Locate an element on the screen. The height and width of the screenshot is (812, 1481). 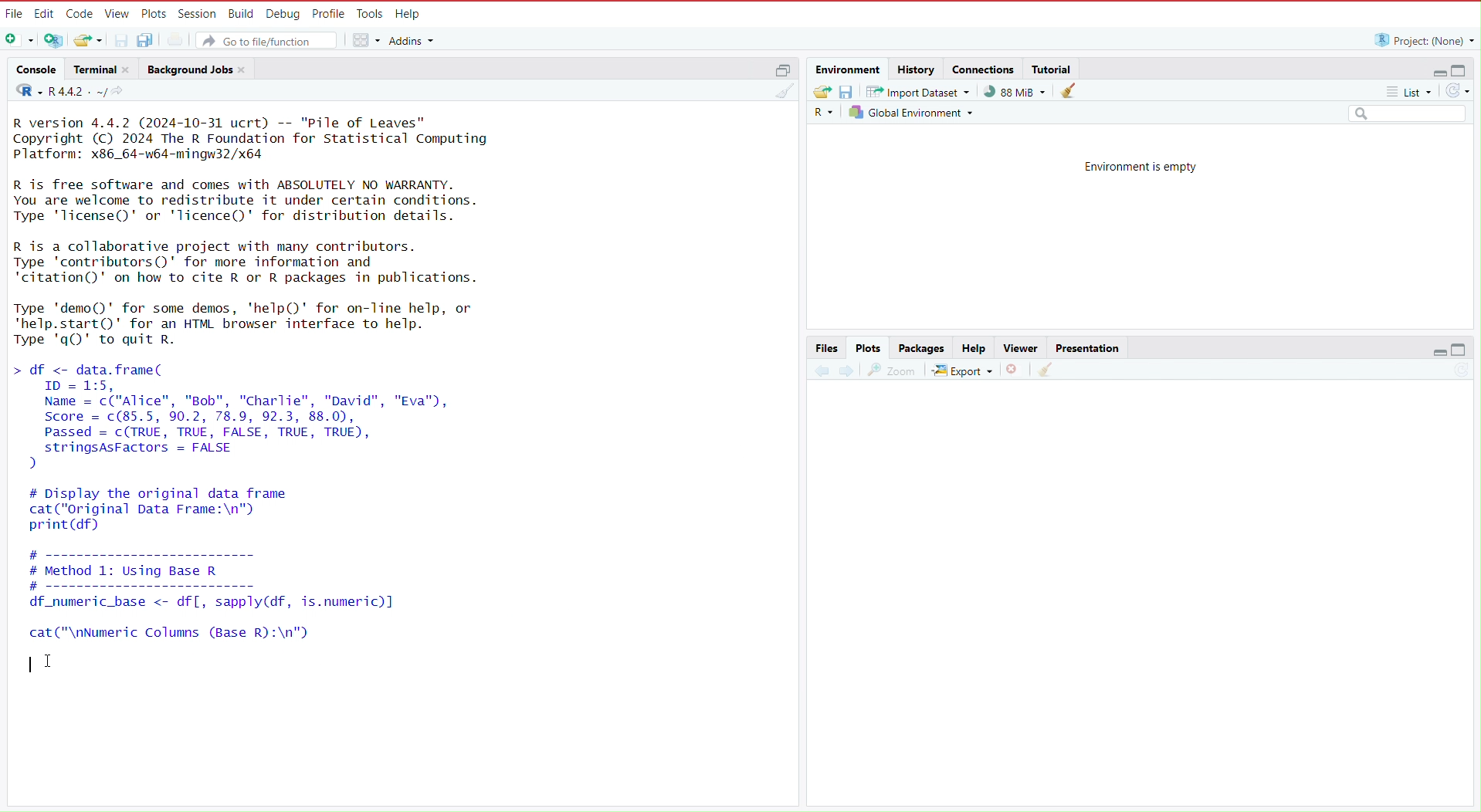
Help is located at coordinates (973, 347).